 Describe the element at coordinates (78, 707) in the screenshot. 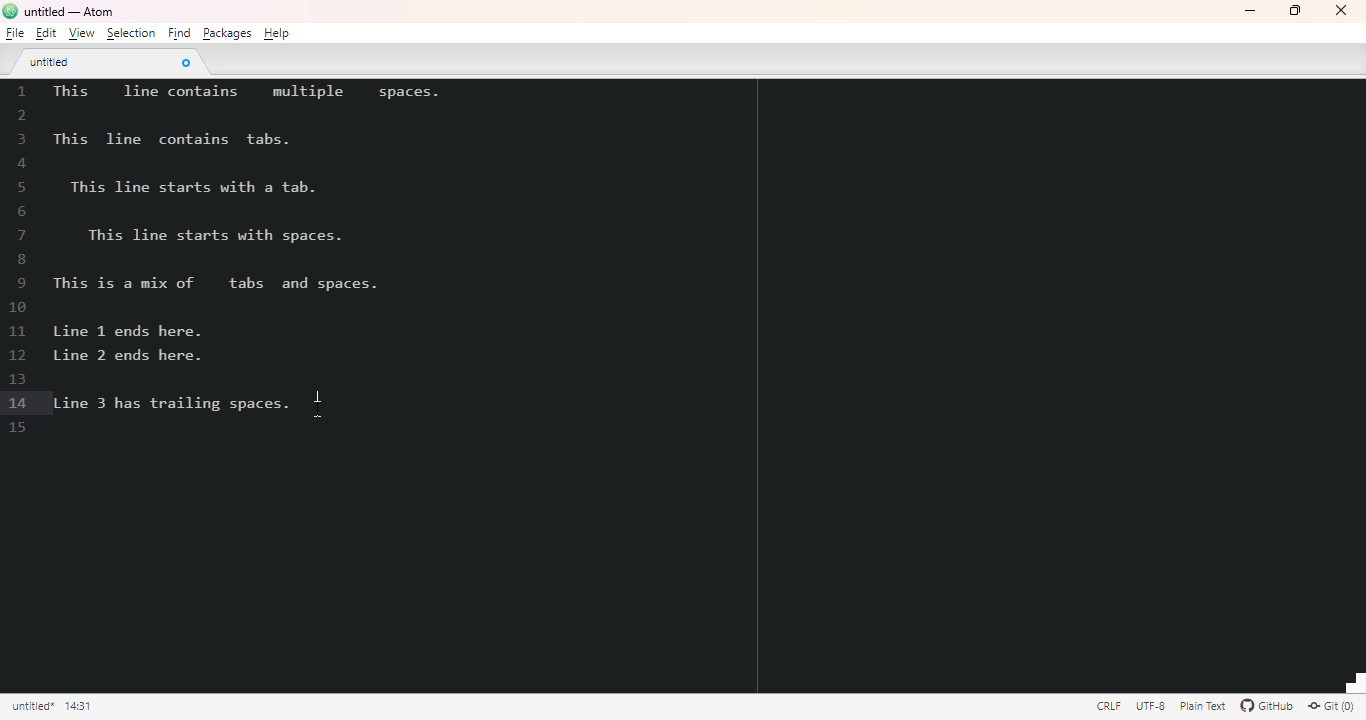

I see `line 14, column 31` at that location.